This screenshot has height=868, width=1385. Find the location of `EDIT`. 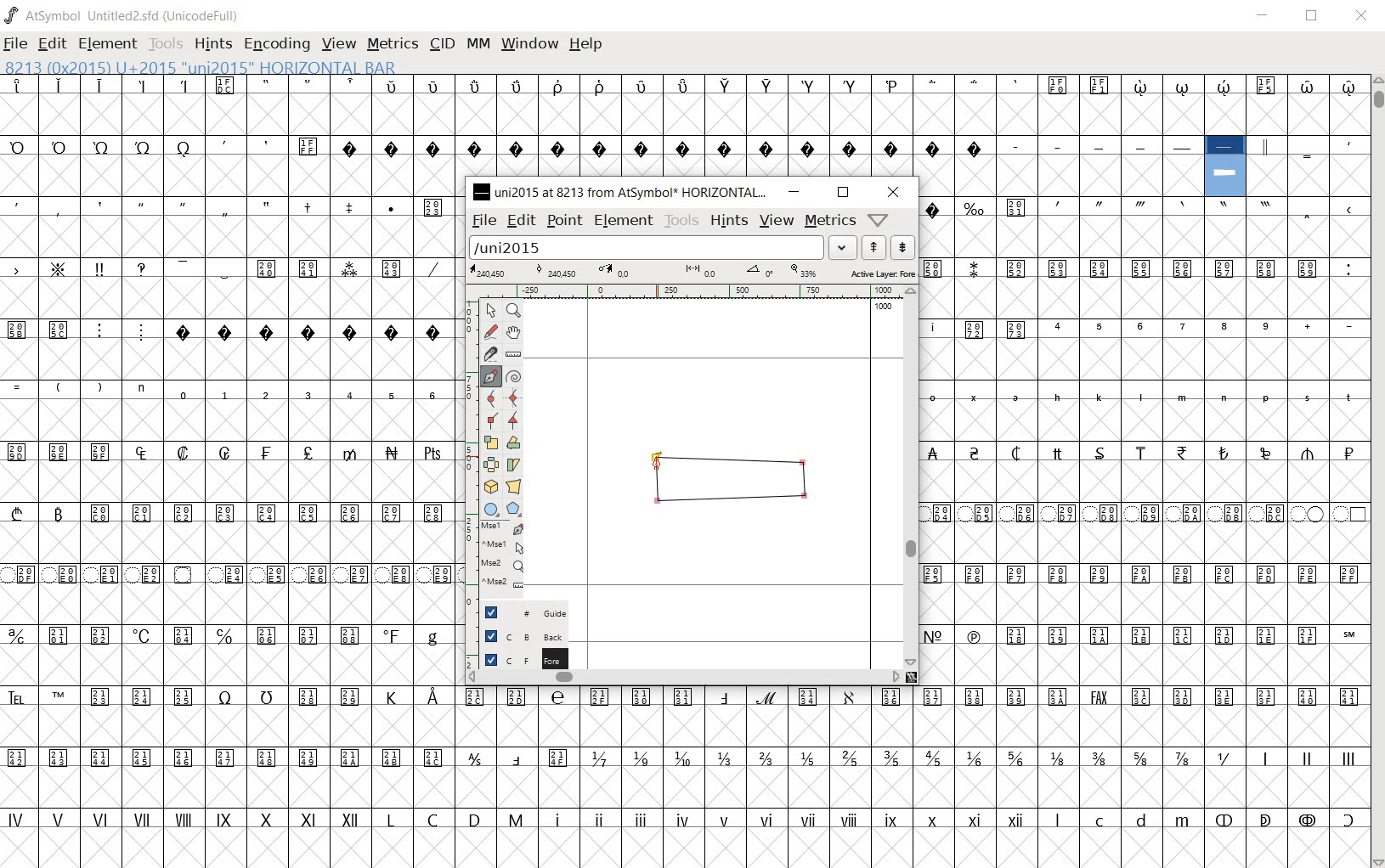

EDIT is located at coordinates (52, 43).